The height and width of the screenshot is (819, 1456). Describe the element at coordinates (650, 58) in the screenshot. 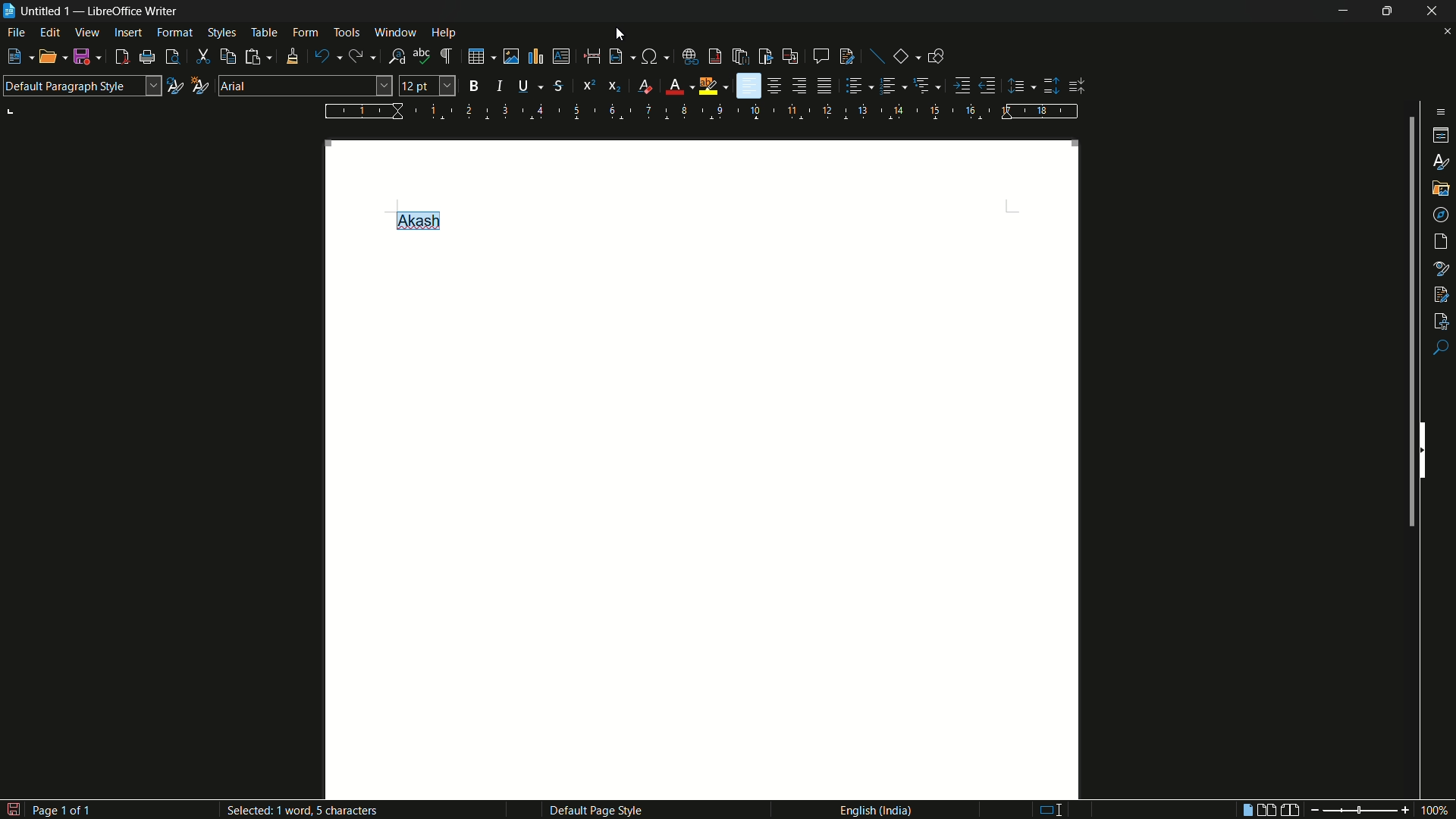

I see `insert special characters` at that location.